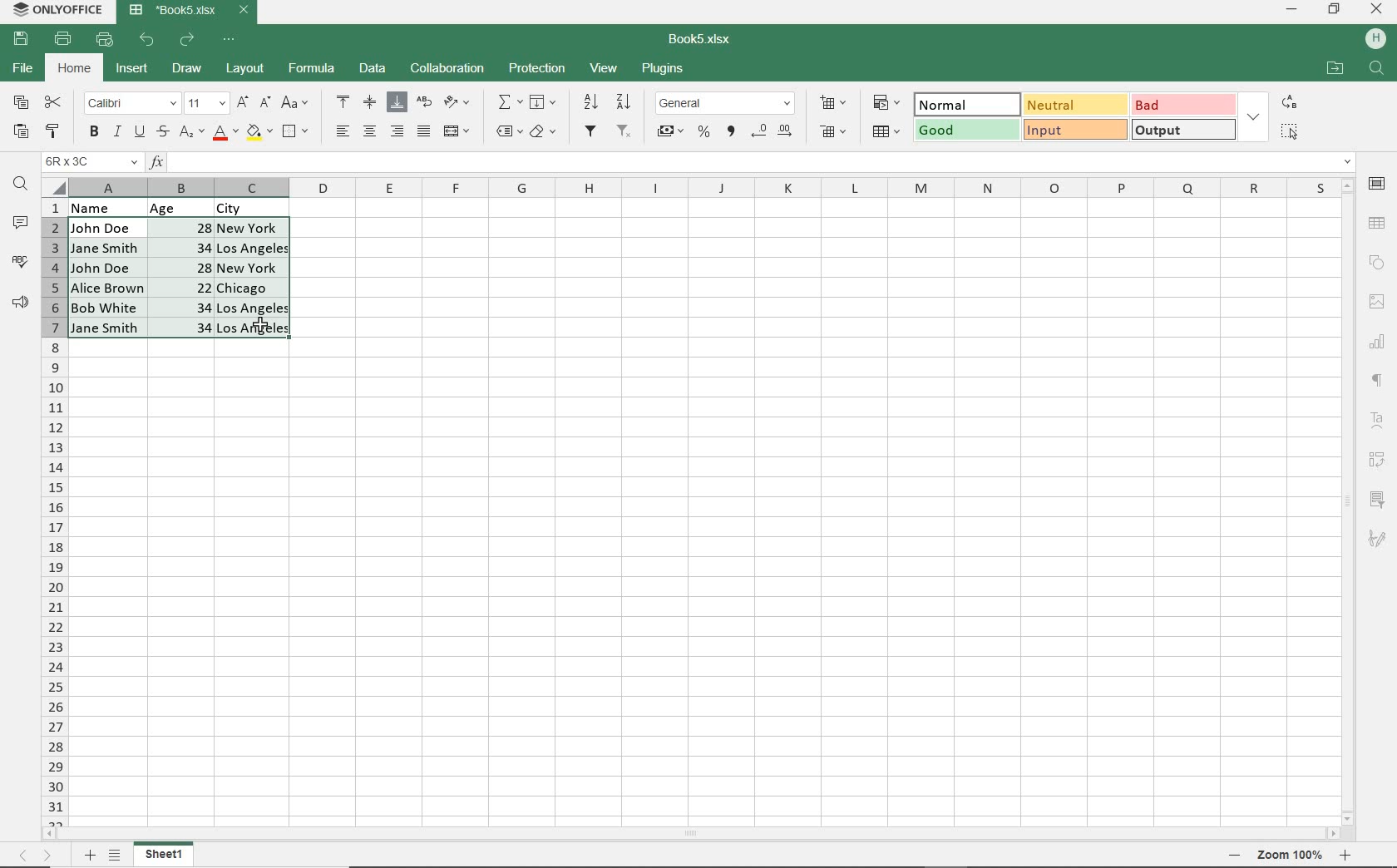  I want to click on SCROLLBAR, so click(696, 835).